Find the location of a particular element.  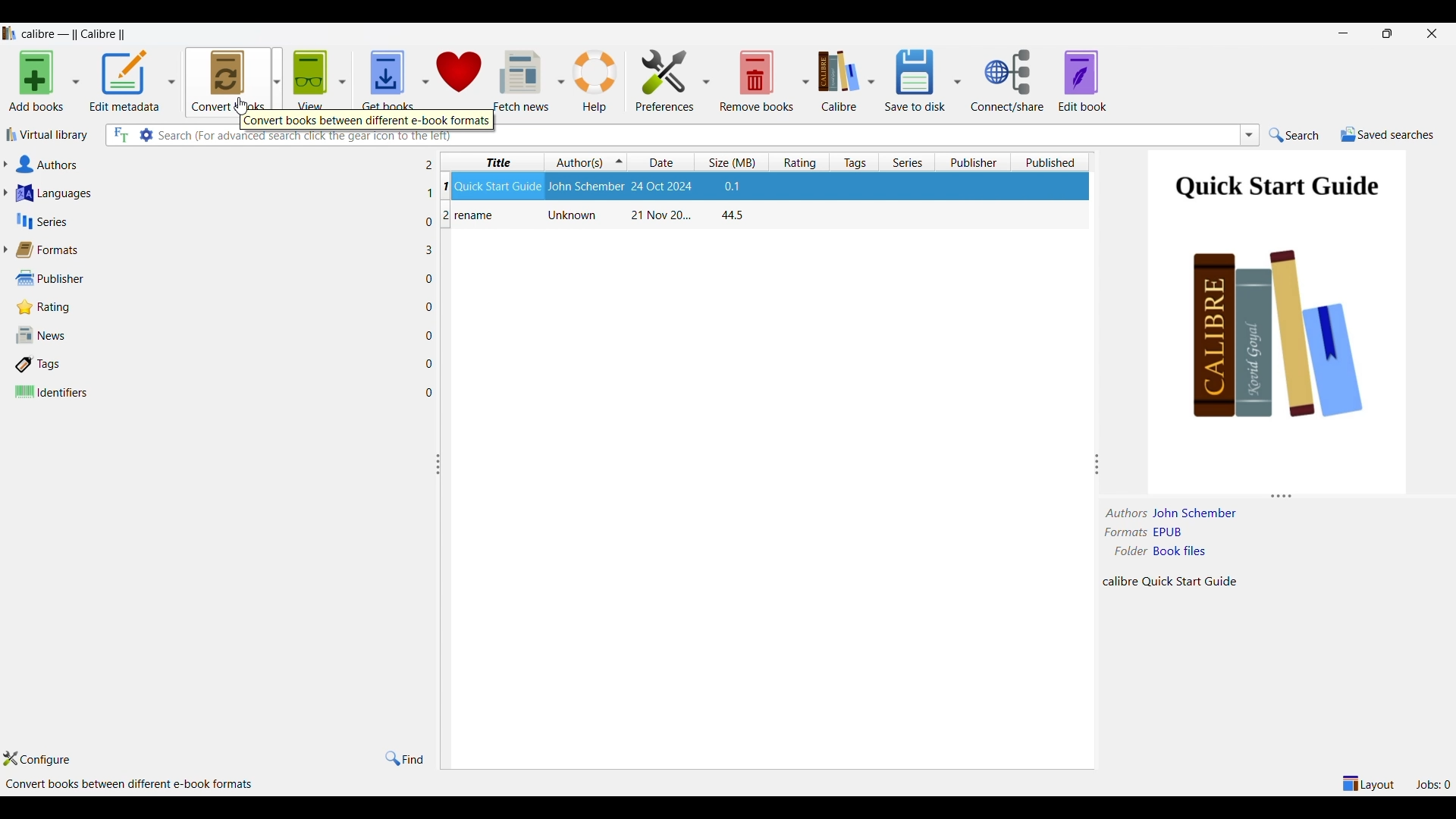

Convert book options is located at coordinates (277, 80).